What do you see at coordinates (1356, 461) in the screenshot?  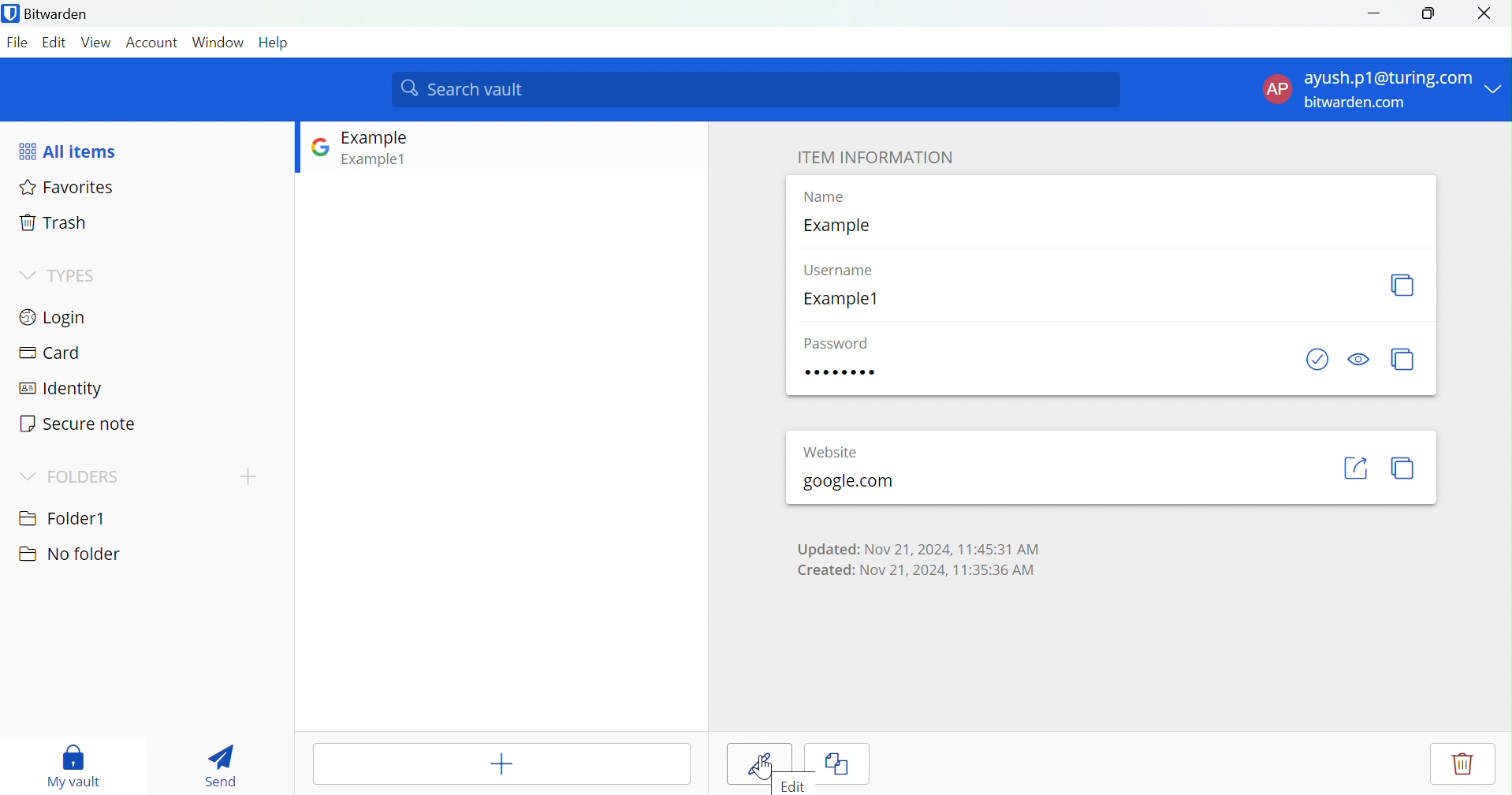 I see `«` at bounding box center [1356, 461].